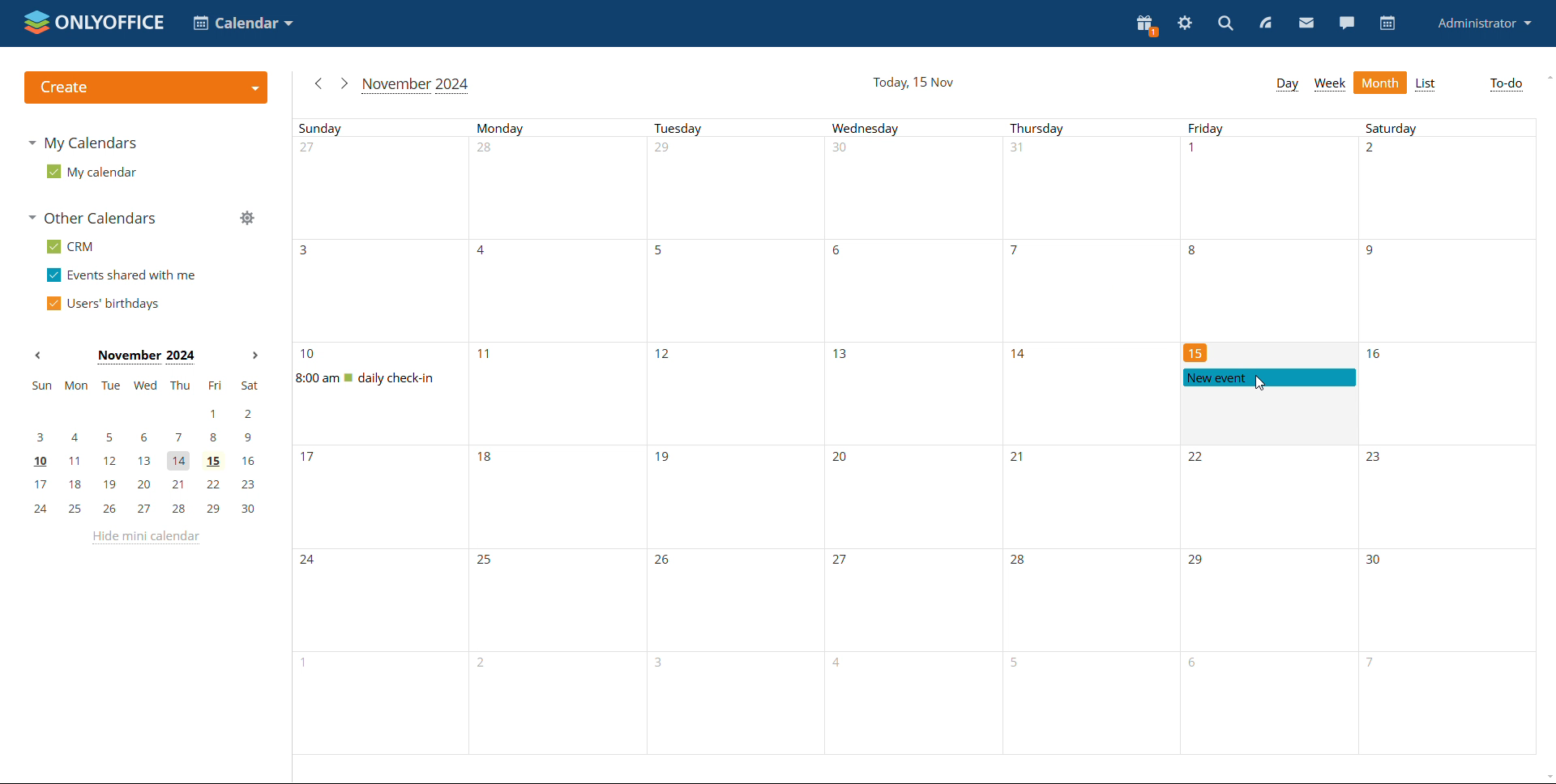 The image size is (1556, 784). I want to click on Number, so click(1021, 562).